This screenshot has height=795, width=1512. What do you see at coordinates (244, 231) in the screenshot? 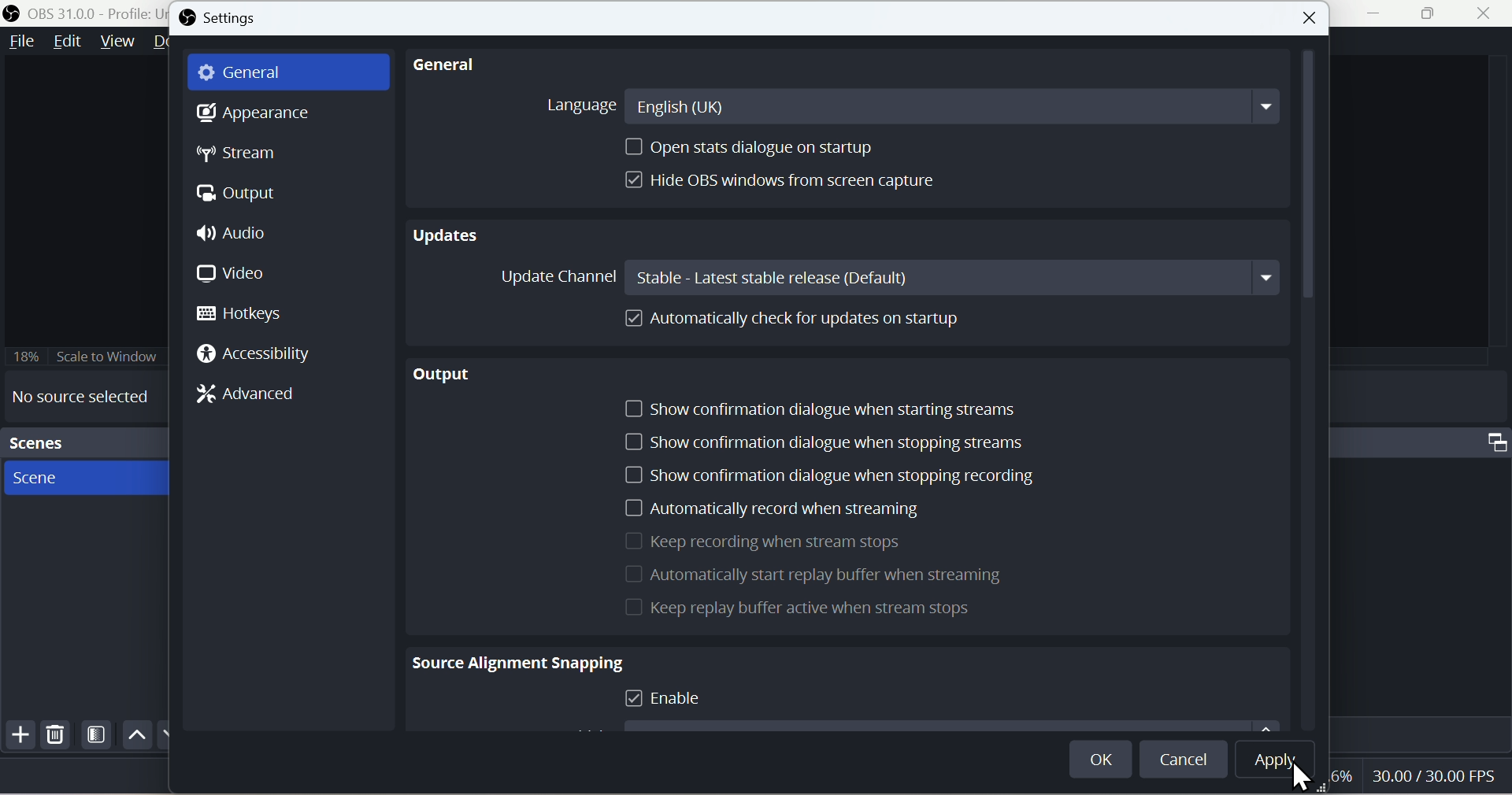
I see `Audio` at bounding box center [244, 231].